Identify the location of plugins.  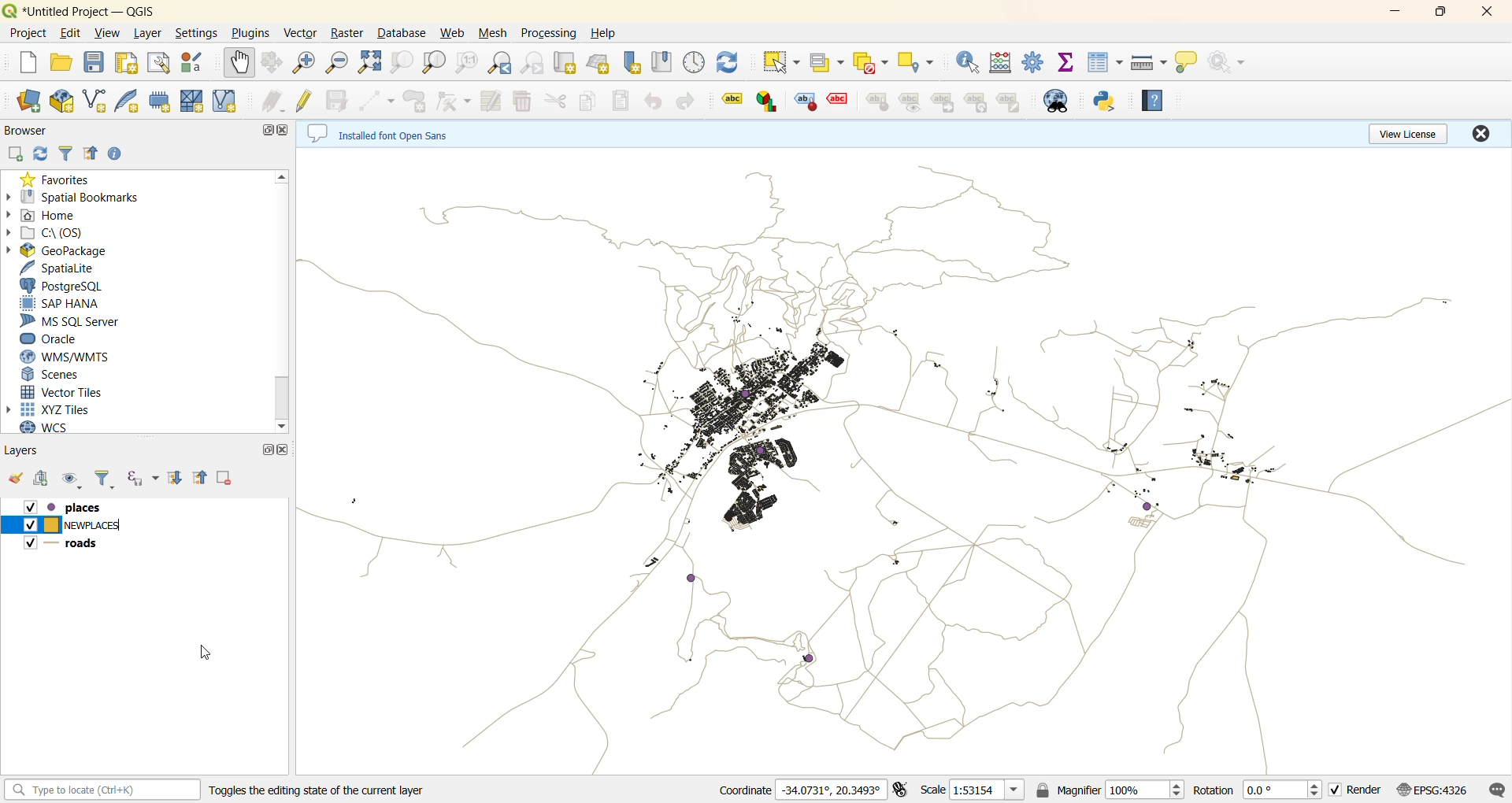
(250, 31).